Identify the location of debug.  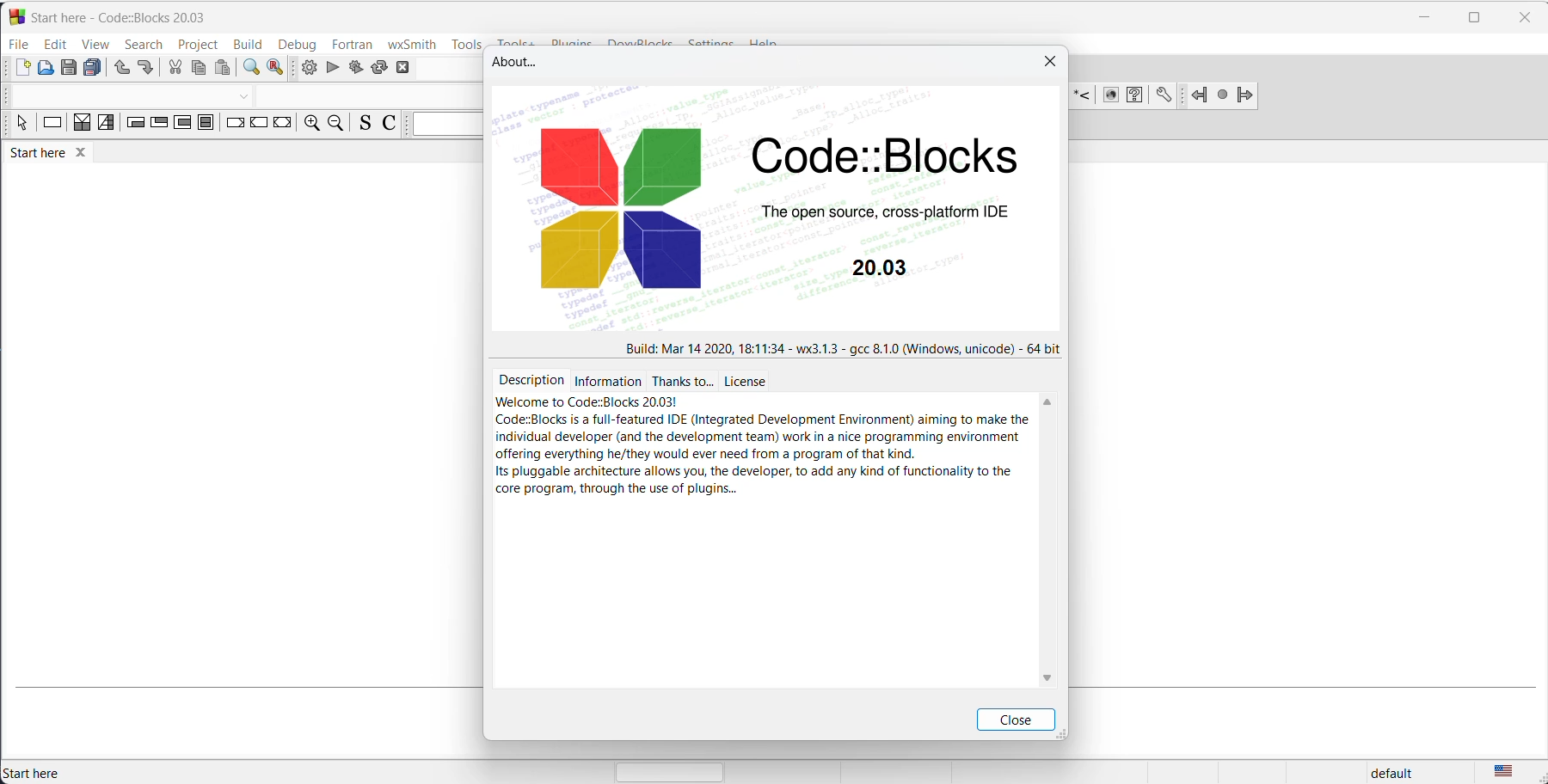
(297, 44).